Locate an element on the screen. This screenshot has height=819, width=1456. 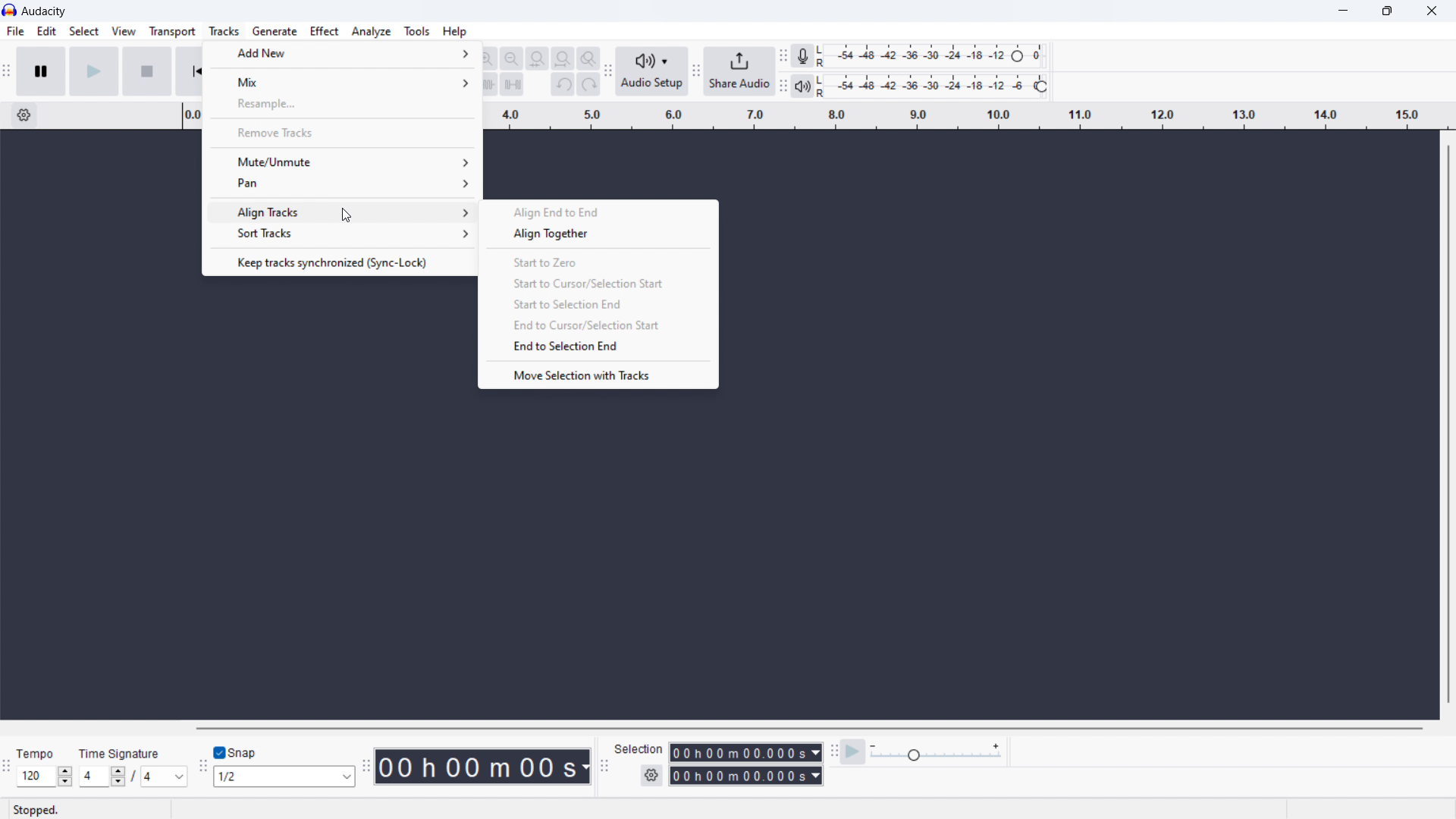
recording meter is located at coordinates (803, 56).